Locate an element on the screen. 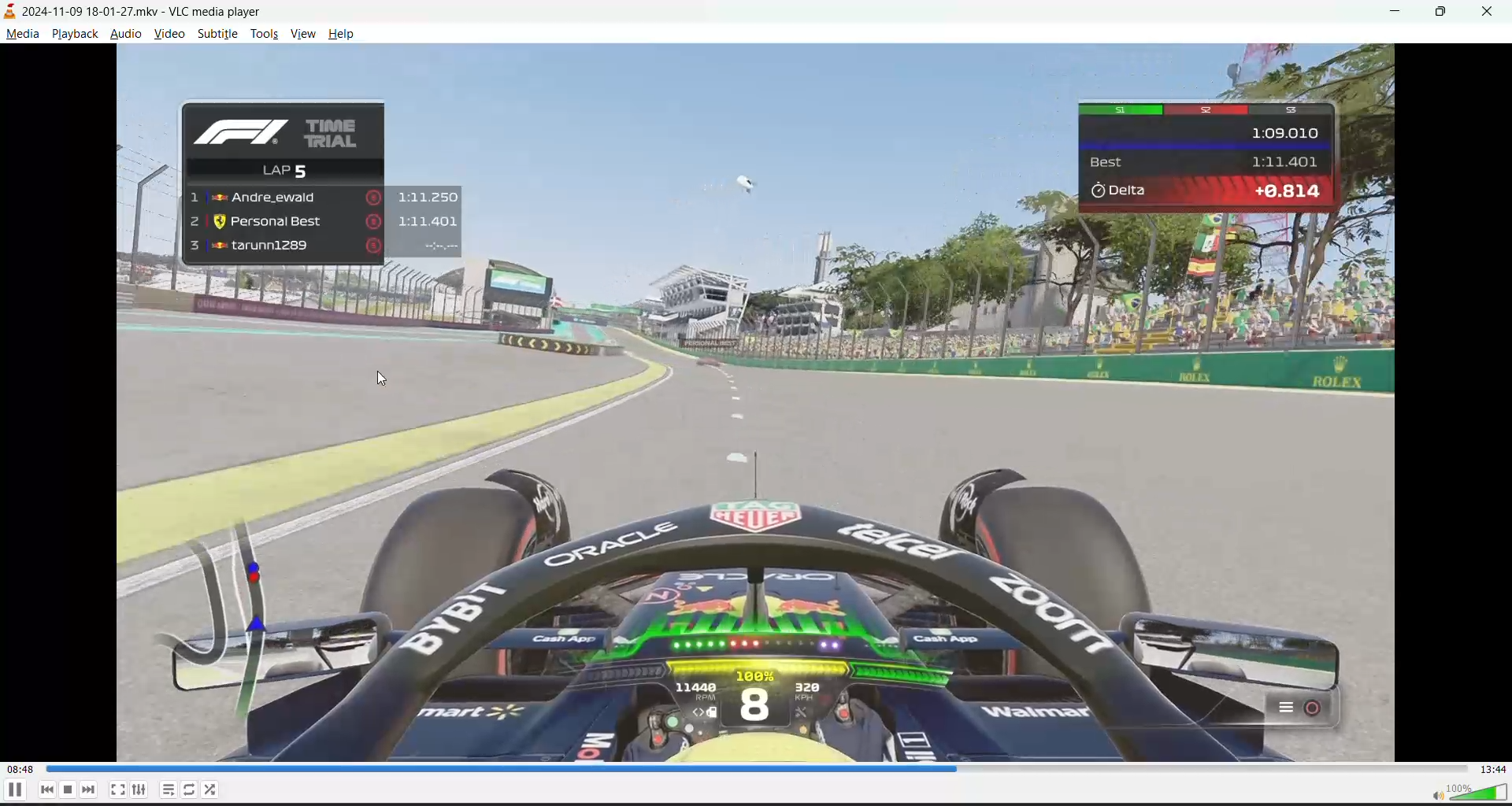 This screenshot has width=1512, height=806. cursor is located at coordinates (385, 379).